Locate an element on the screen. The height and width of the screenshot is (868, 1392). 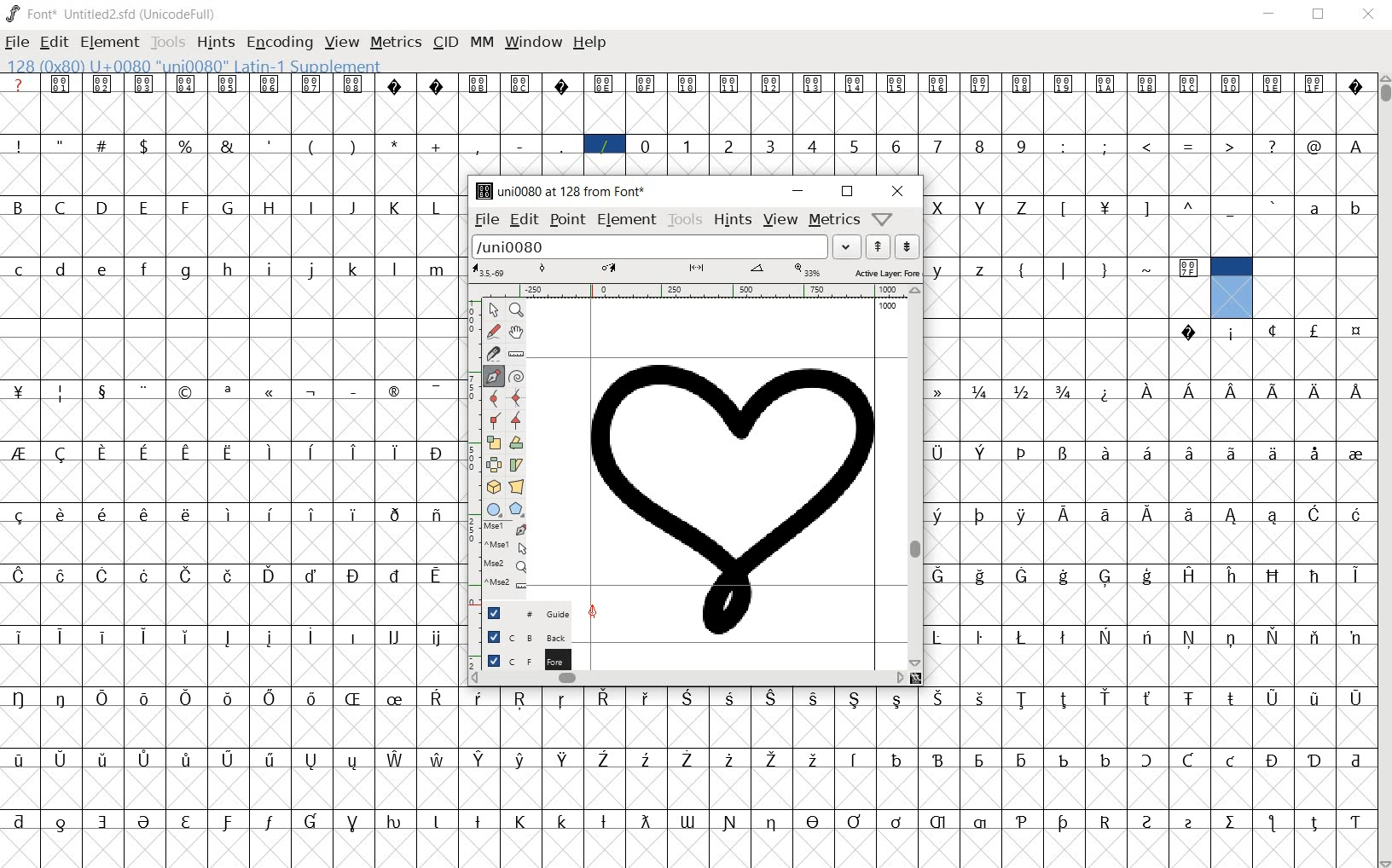
hints is located at coordinates (730, 219).